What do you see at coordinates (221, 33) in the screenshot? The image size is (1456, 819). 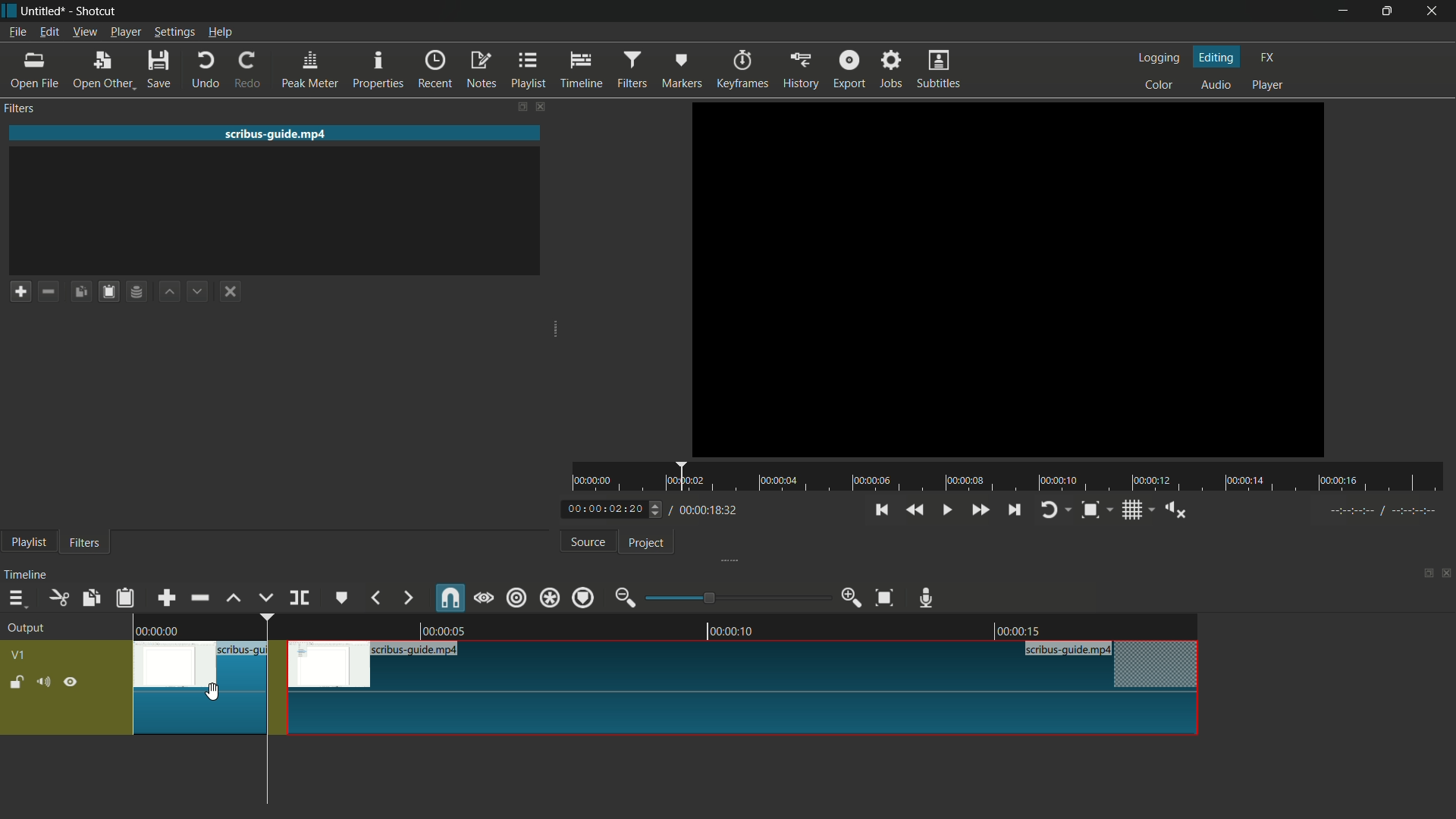 I see `help menu` at bounding box center [221, 33].